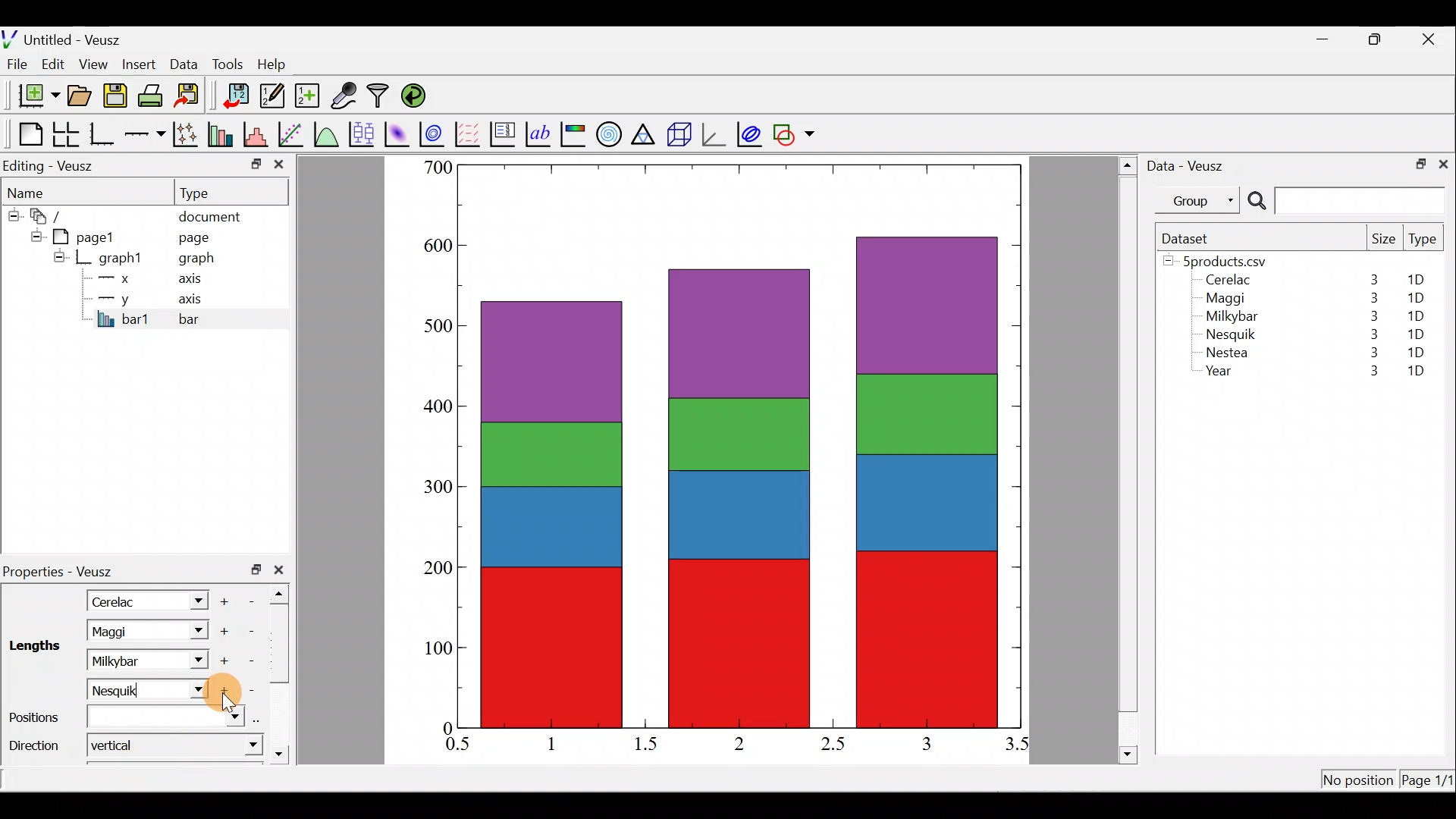 The width and height of the screenshot is (1456, 819). What do you see at coordinates (363, 133) in the screenshot?
I see `Plot box plots` at bounding box center [363, 133].